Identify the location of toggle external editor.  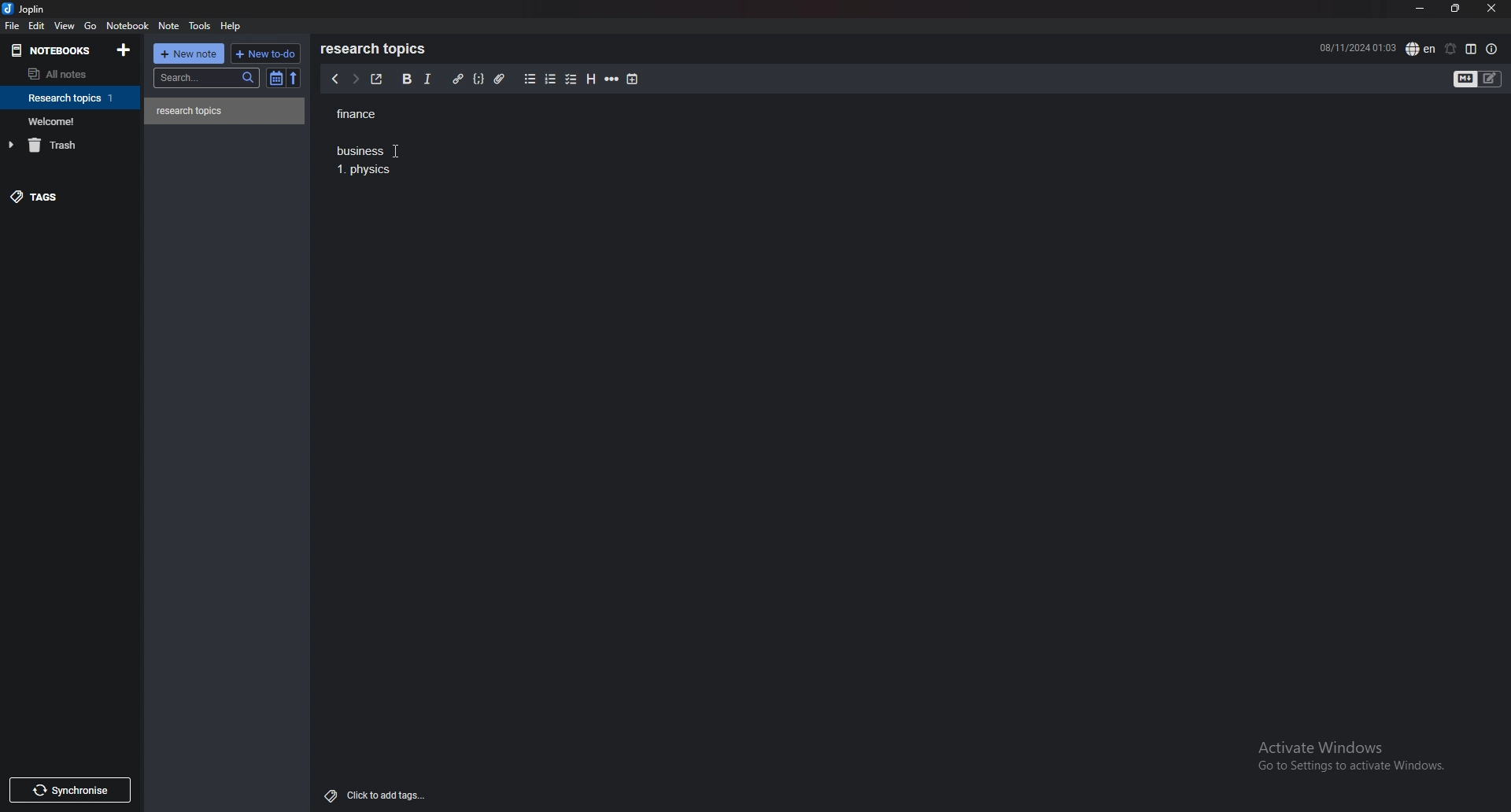
(375, 79).